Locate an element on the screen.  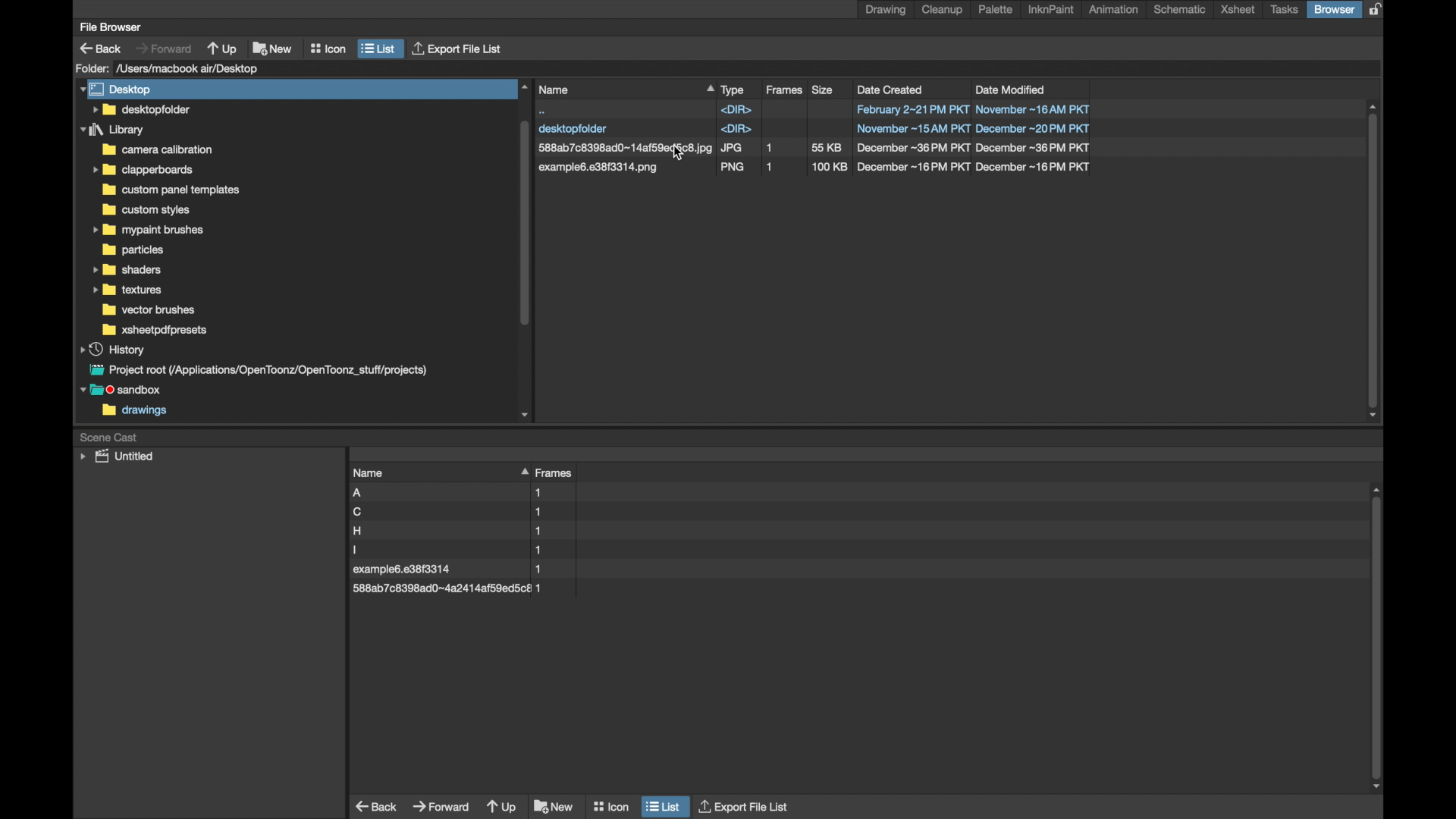
forward is located at coordinates (441, 805).